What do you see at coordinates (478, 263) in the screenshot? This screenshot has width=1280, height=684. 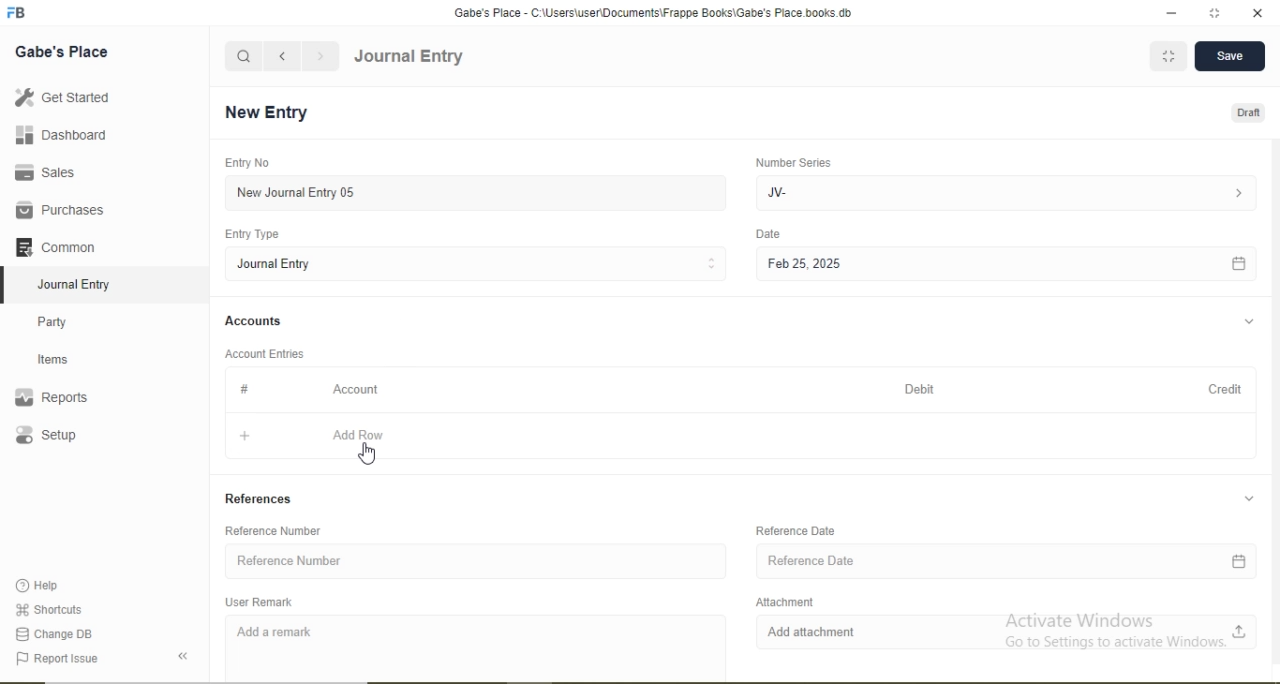 I see `Journal Entry` at bounding box center [478, 263].